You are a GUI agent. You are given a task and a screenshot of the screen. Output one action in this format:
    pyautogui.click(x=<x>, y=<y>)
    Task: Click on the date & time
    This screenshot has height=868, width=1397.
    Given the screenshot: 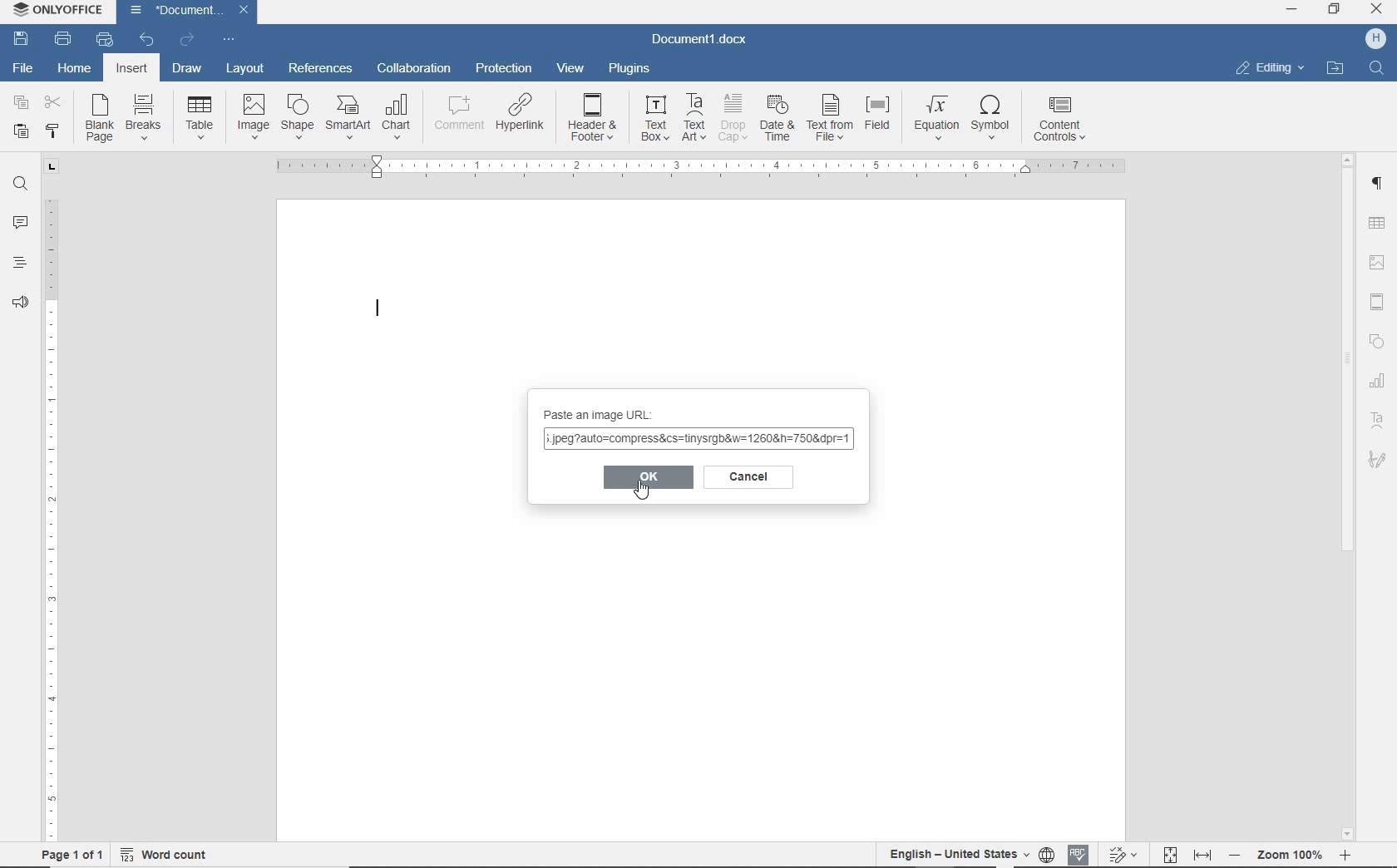 What is the action you would take?
    pyautogui.click(x=778, y=116)
    